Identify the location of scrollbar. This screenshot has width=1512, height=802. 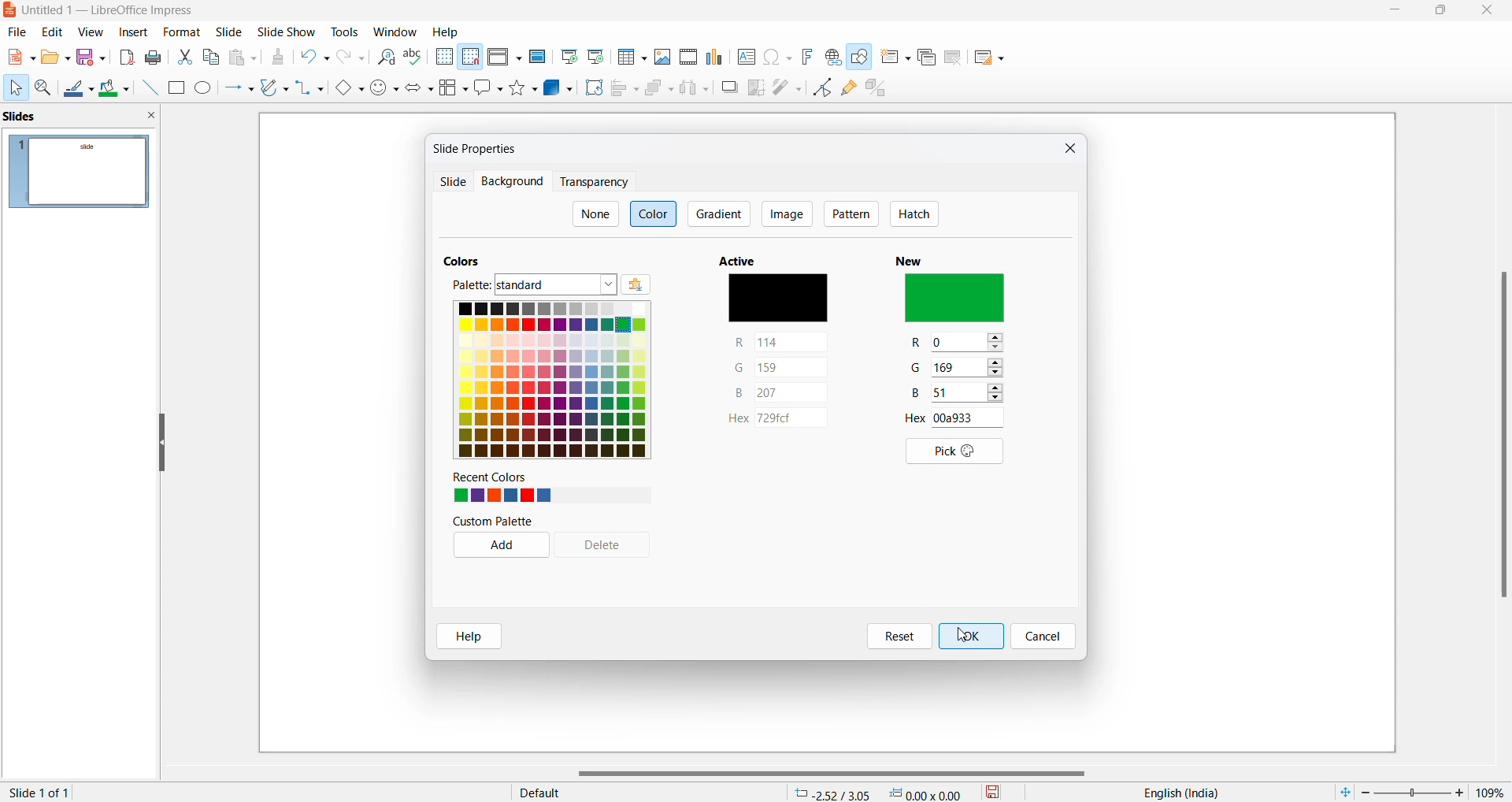
(1502, 433).